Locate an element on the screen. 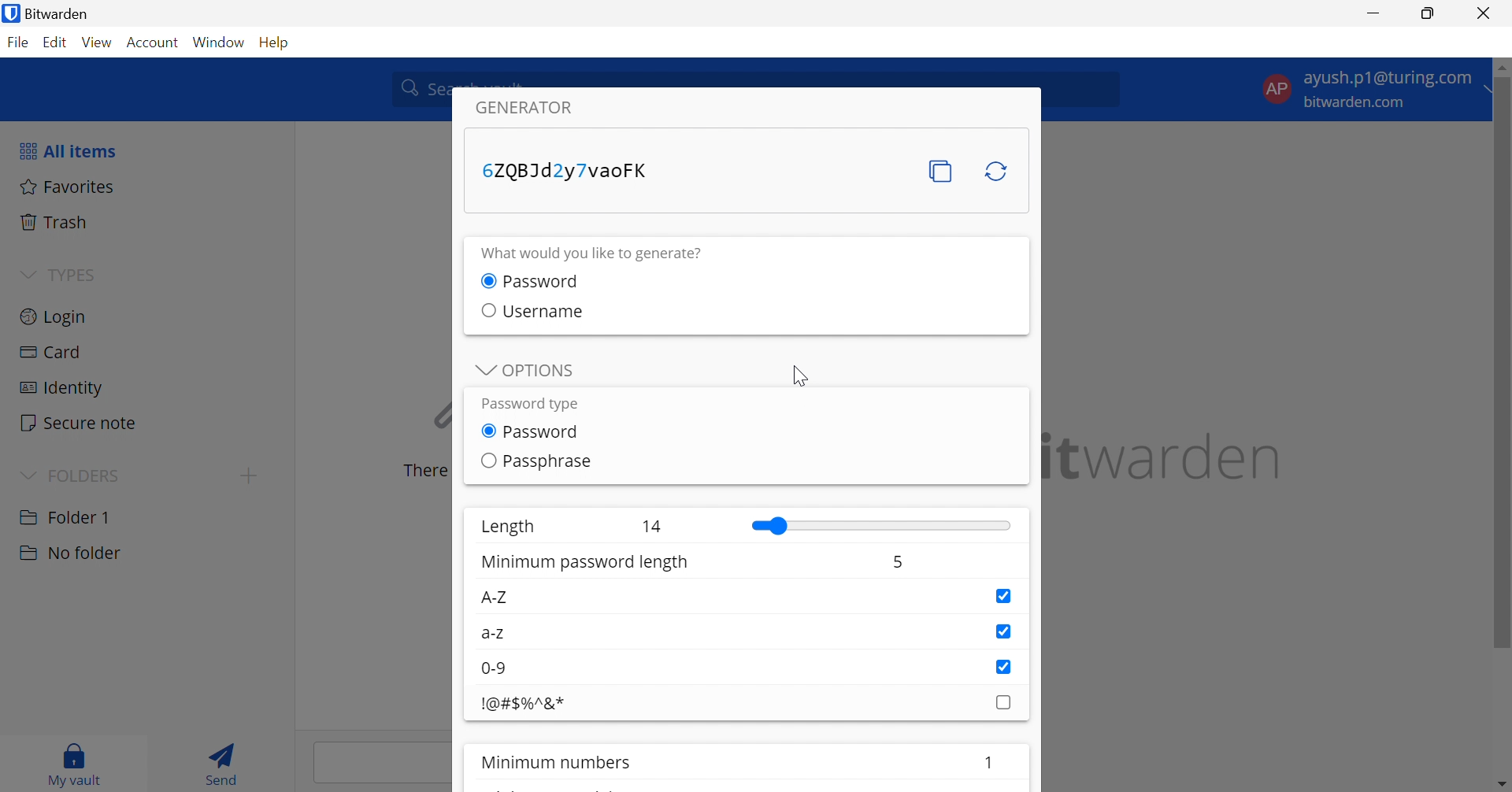 The image size is (1512, 792). Add folder is located at coordinates (253, 475).